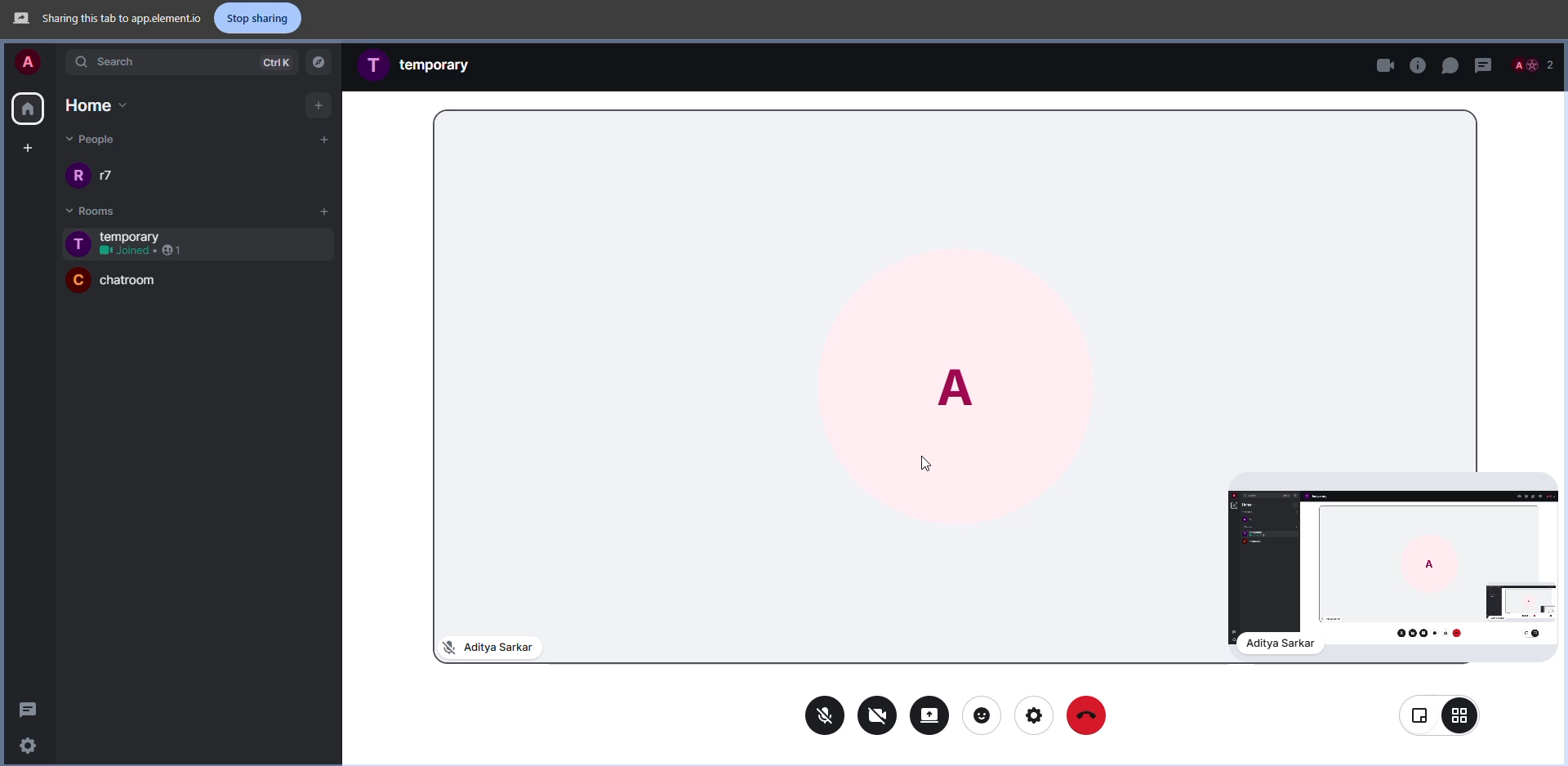 The width and height of the screenshot is (1568, 766). What do you see at coordinates (78, 282) in the screenshot?
I see `profile` at bounding box center [78, 282].